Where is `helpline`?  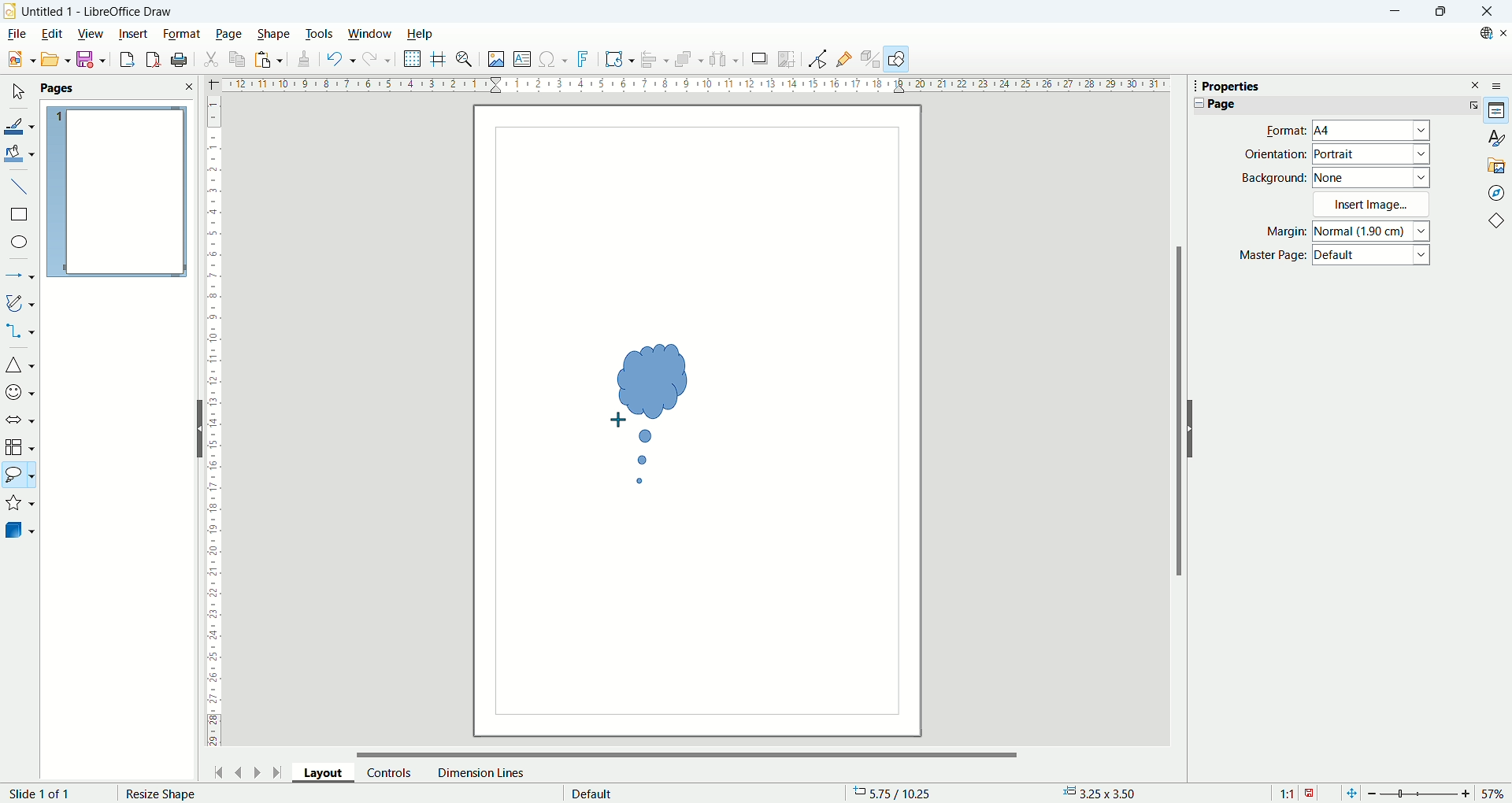 helpline is located at coordinates (439, 59).